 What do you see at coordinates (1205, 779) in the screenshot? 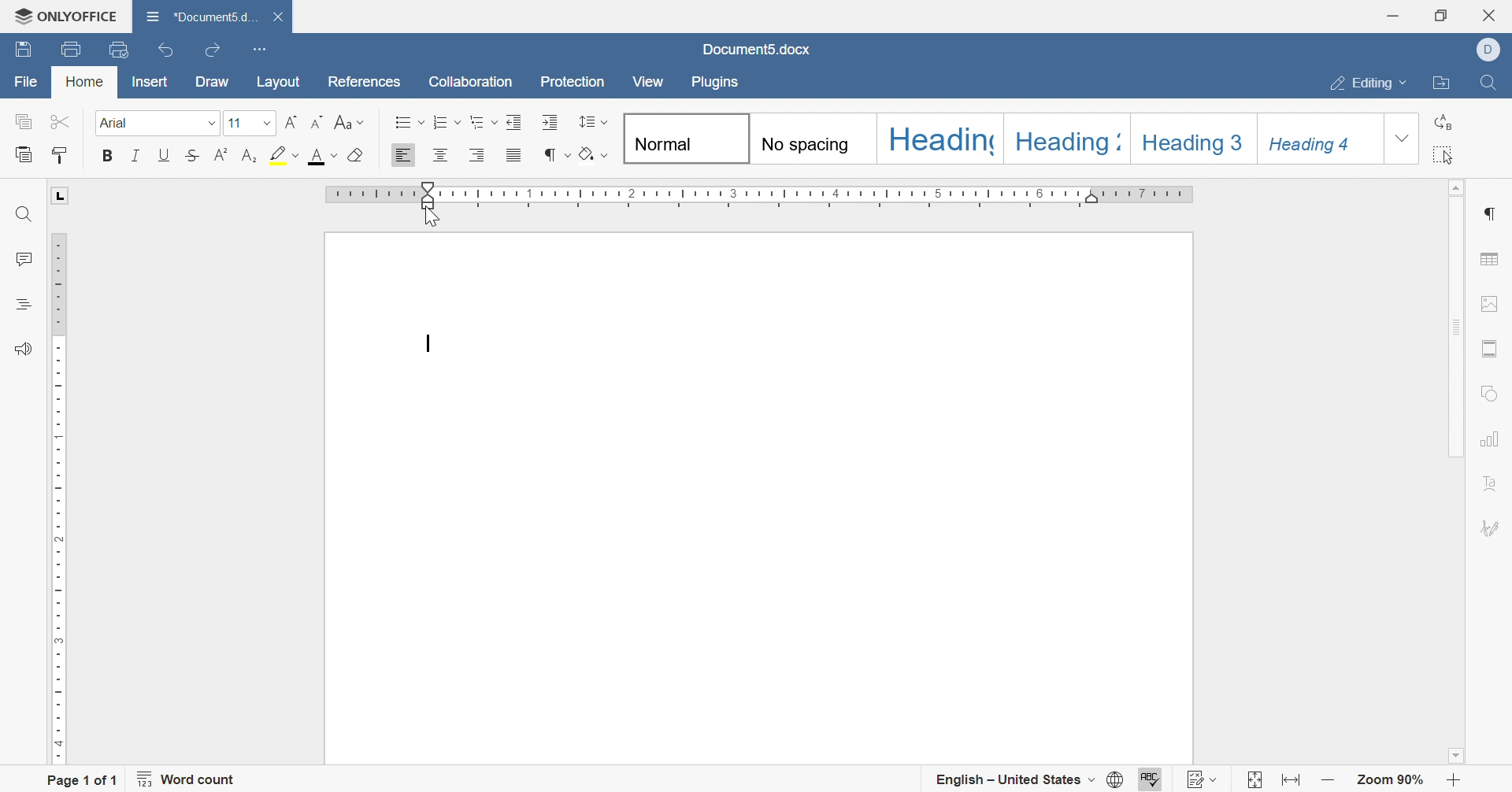
I see `track changes` at bounding box center [1205, 779].